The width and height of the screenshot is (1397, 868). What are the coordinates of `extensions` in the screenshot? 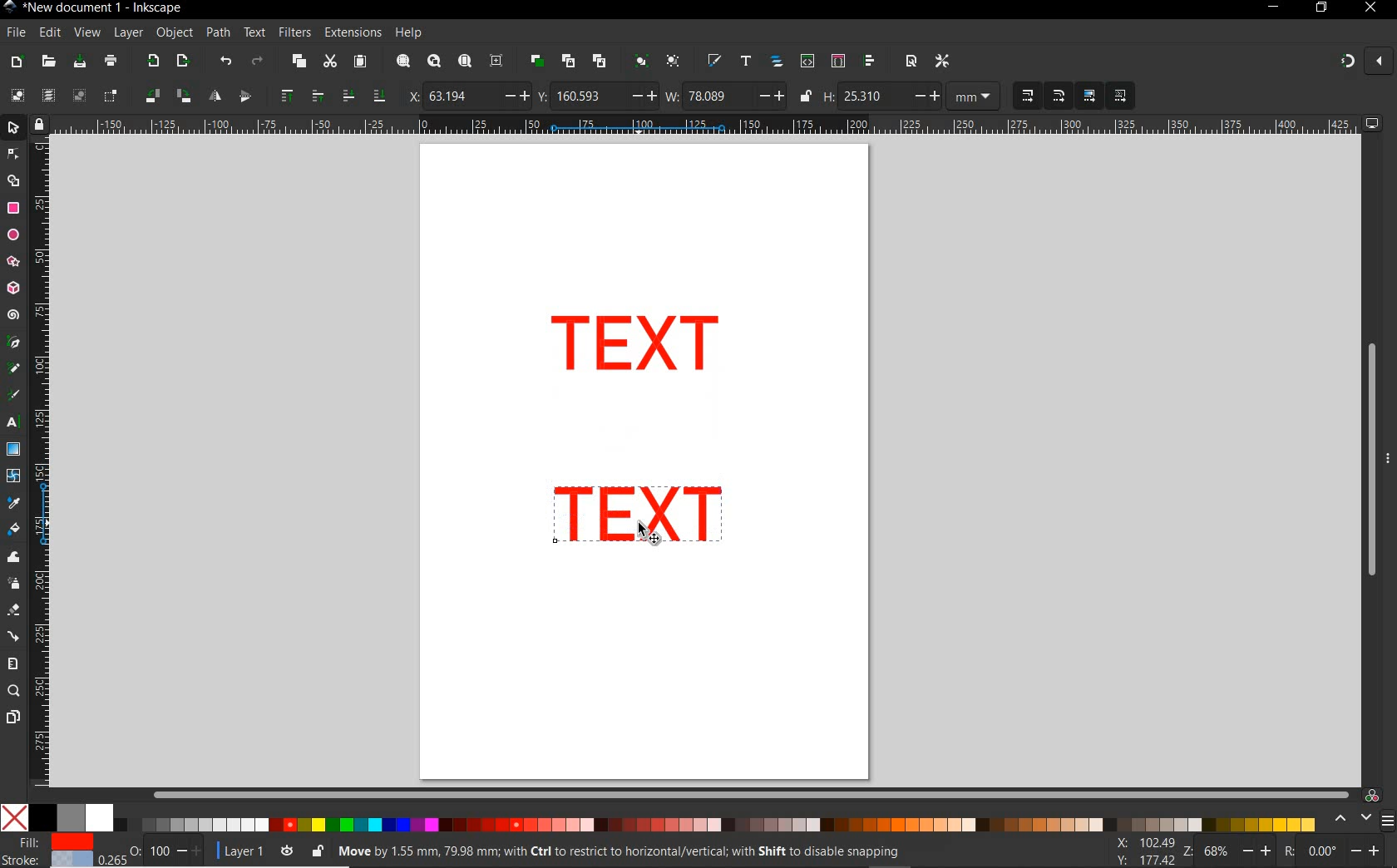 It's located at (352, 32).